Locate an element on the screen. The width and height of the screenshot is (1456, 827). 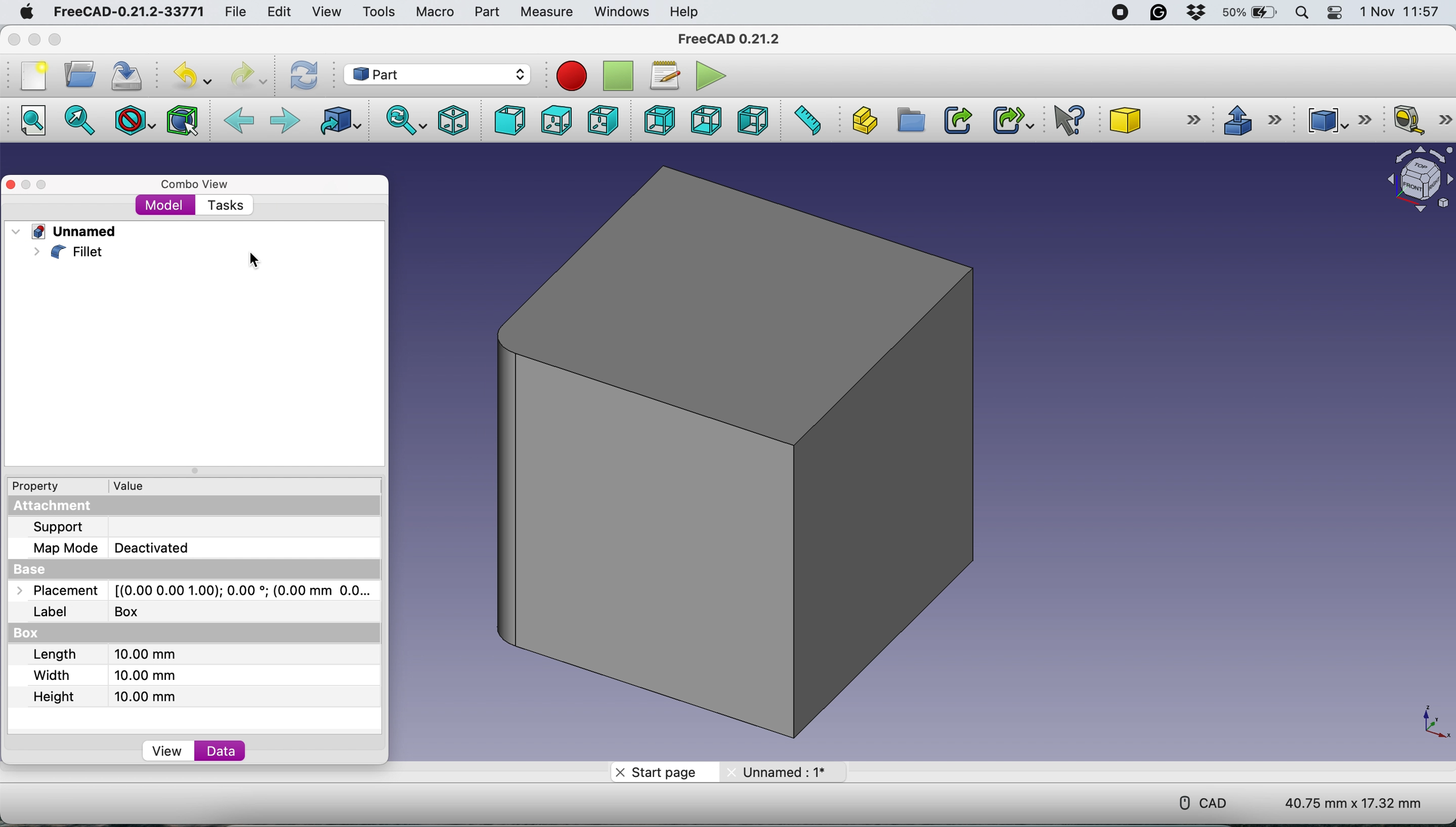
lavel is located at coordinates (93, 614).